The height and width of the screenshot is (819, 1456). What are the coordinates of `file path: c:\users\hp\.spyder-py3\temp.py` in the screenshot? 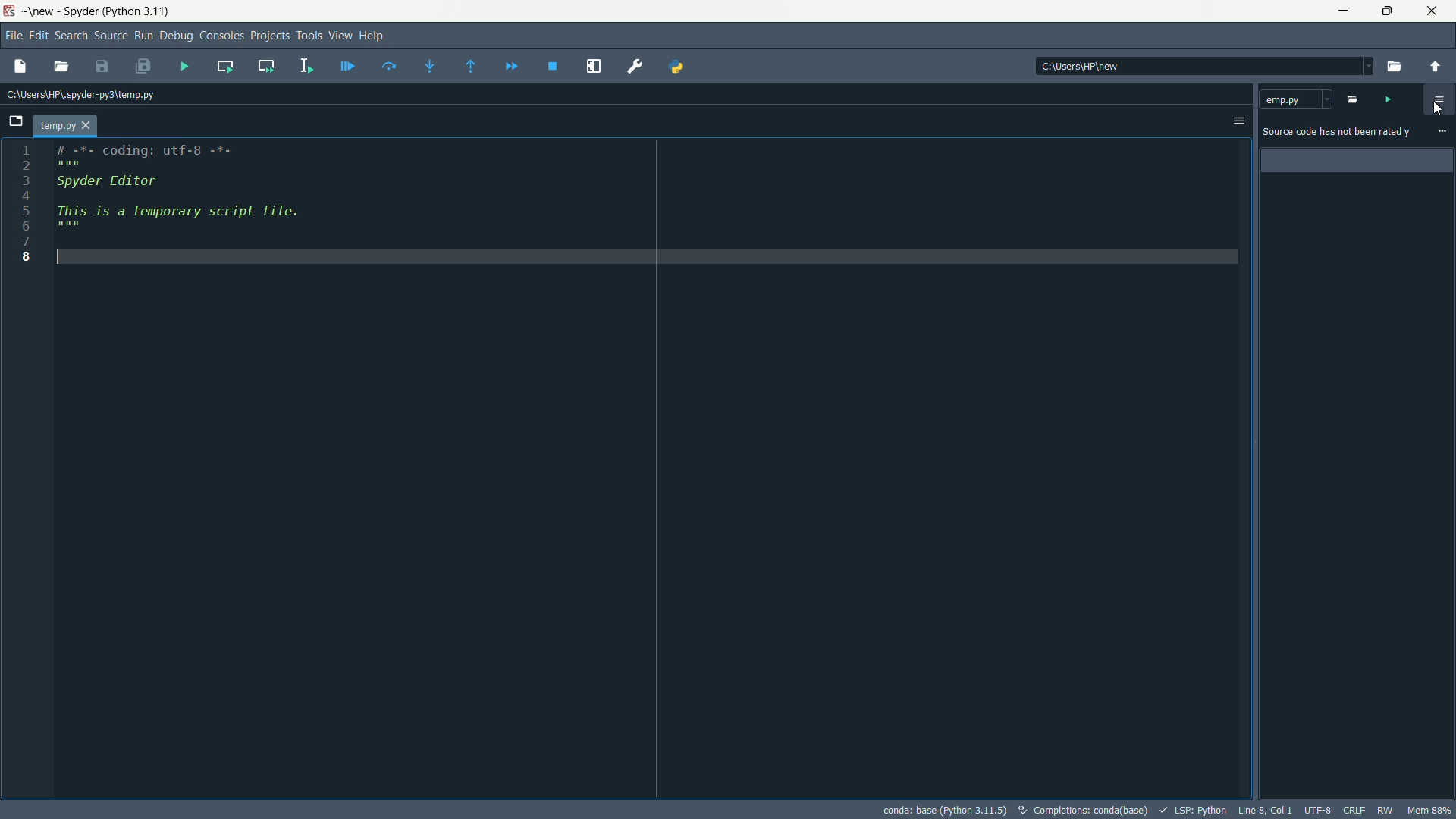 It's located at (80, 96).